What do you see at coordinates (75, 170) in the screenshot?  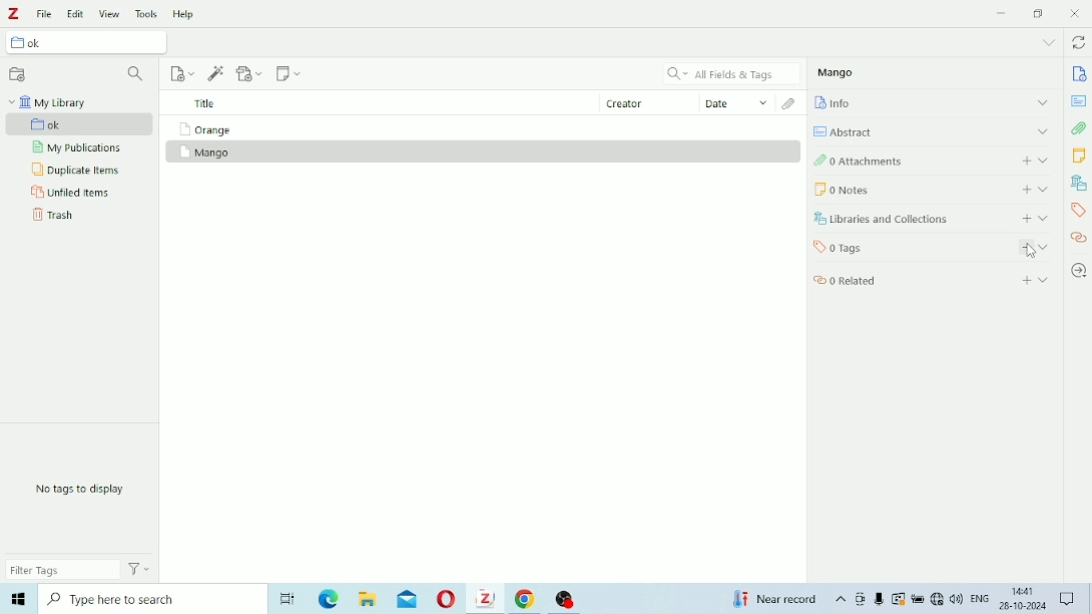 I see `Duplicate Items` at bounding box center [75, 170].